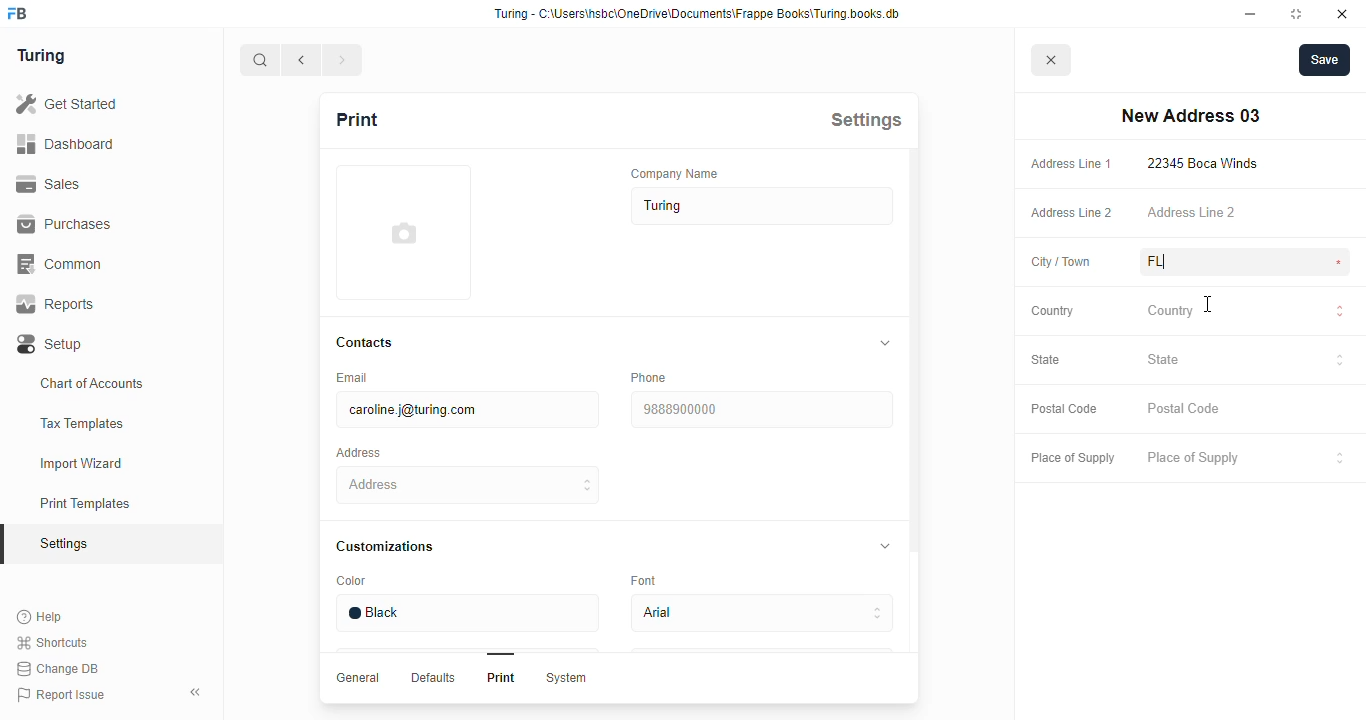 Image resolution: width=1366 pixels, height=720 pixels. Describe the element at coordinates (881, 544) in the screenshot. I see `toggle expand/collapse` at that location.